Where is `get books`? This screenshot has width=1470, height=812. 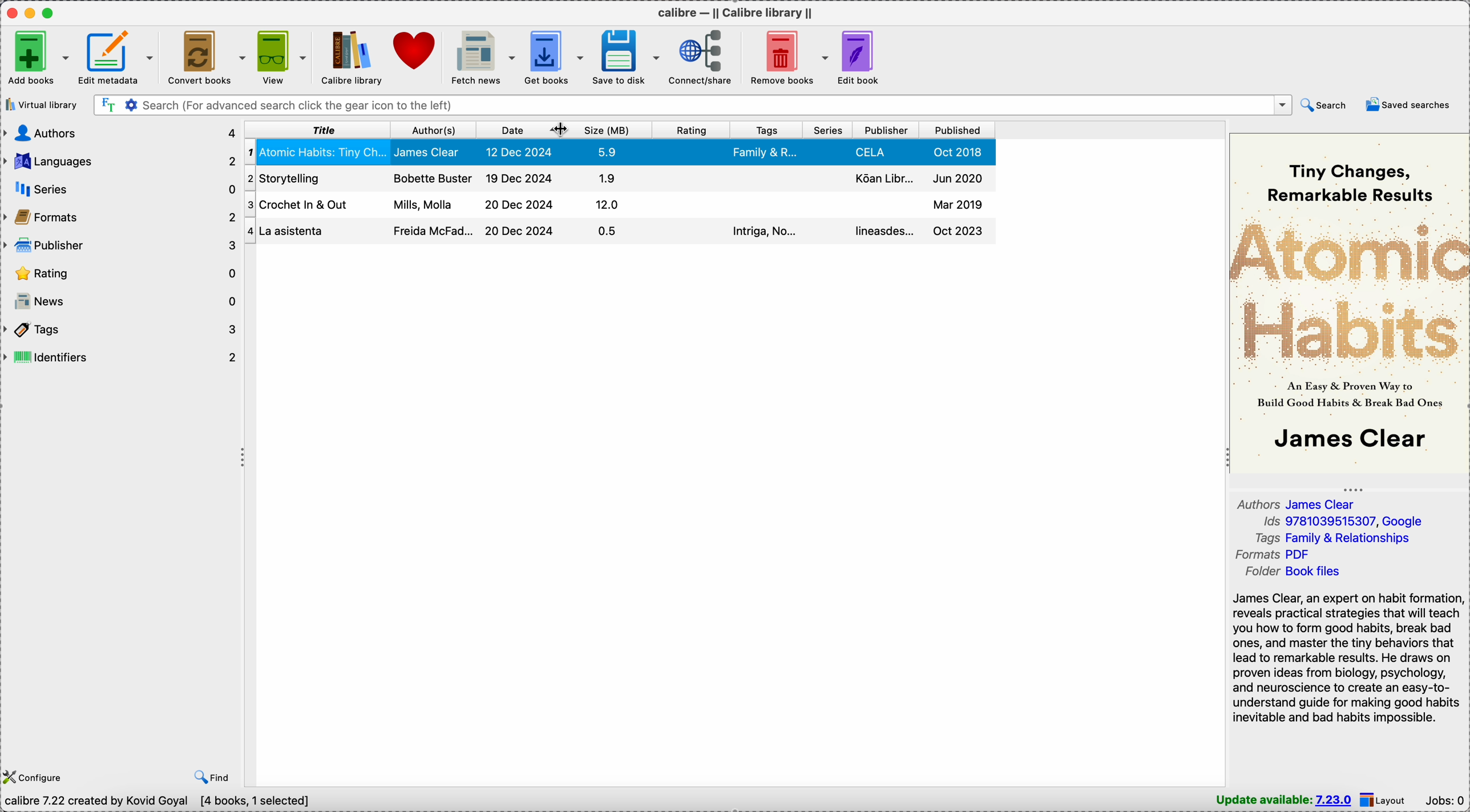
get books is located at coordinates (556, 58).